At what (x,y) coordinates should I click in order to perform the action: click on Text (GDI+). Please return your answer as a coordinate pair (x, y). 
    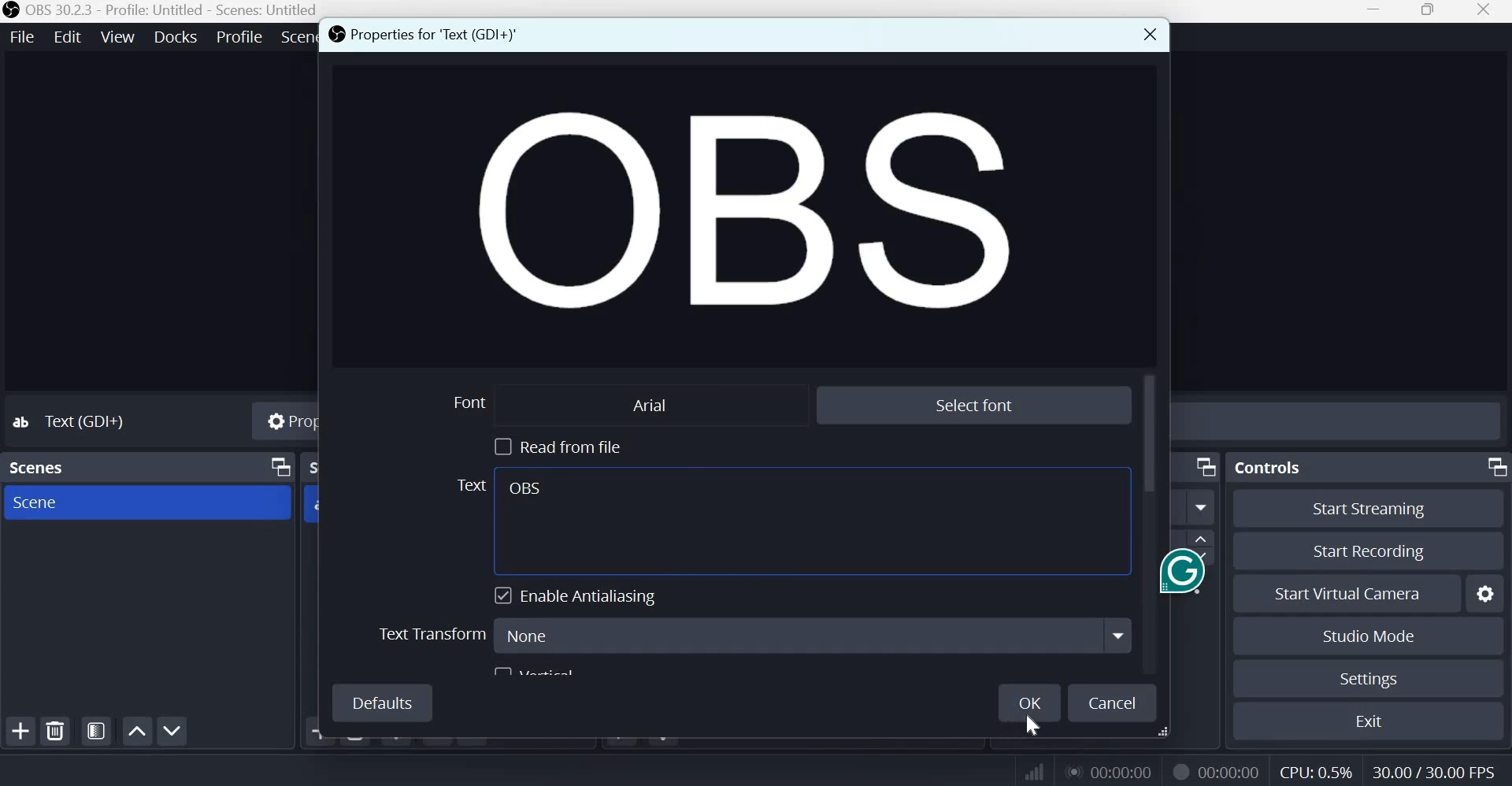
    Looking at the image, I should click on (83, 421).